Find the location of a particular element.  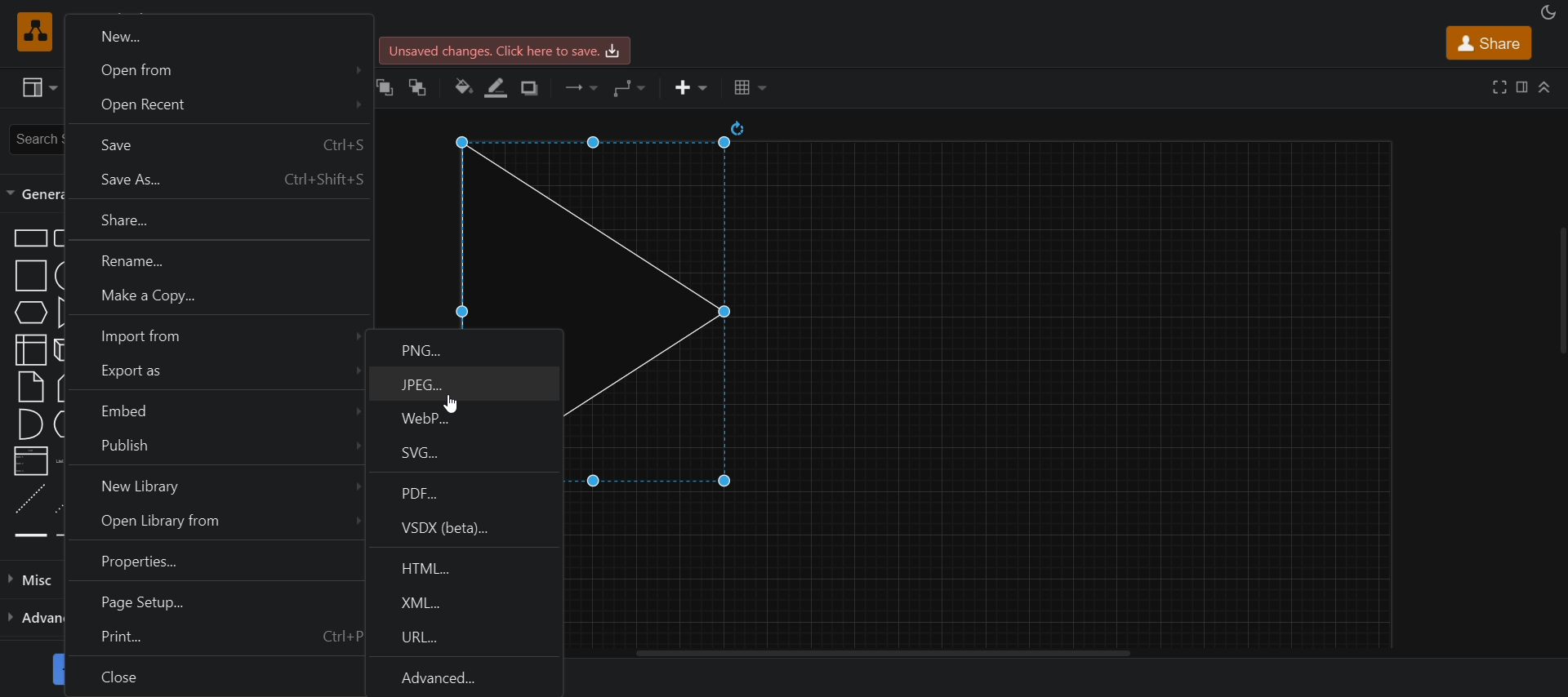

html is located at coordinates (467, 565).